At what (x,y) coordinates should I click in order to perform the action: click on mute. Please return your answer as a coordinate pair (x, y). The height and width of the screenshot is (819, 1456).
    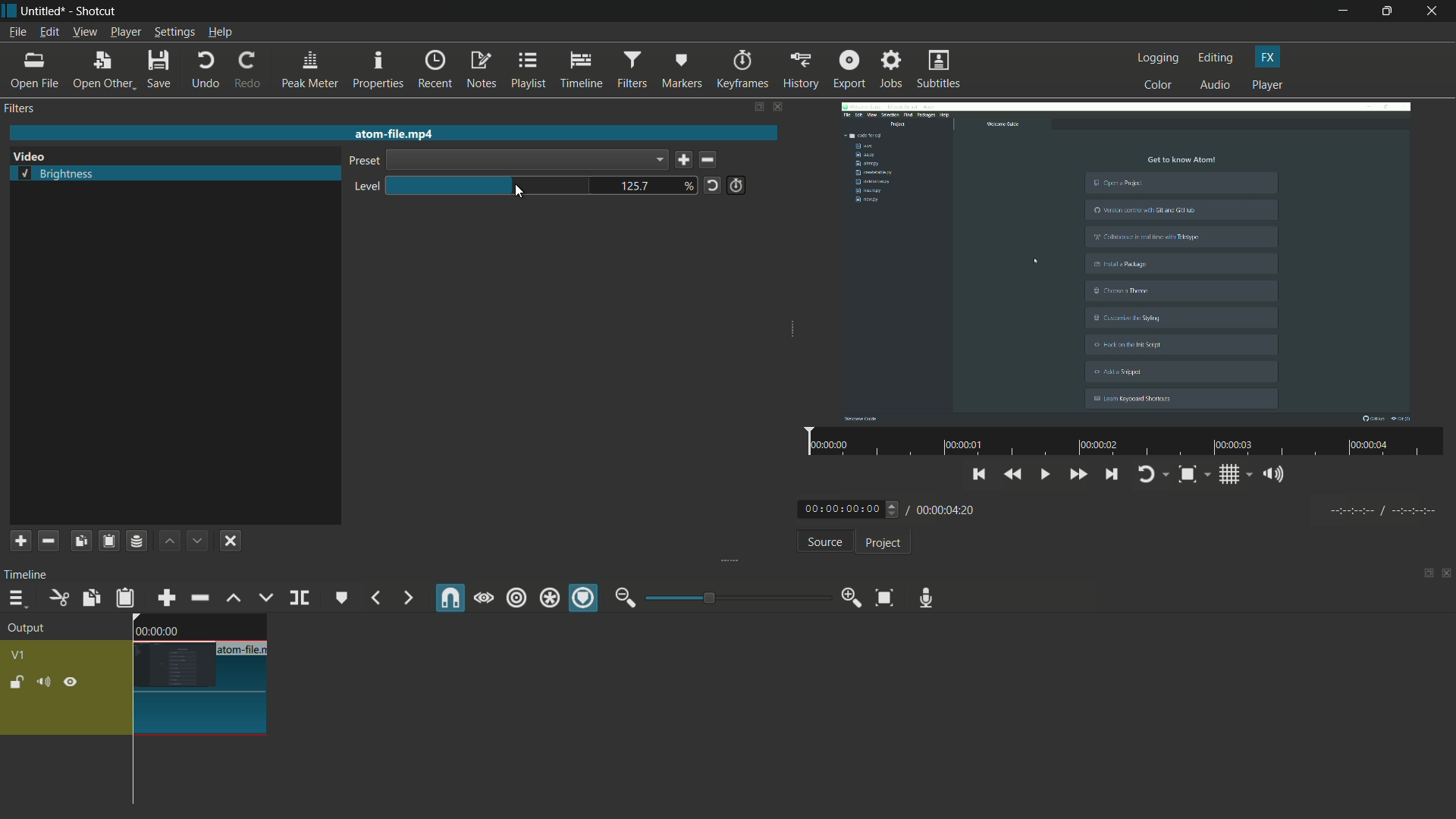
    Looking at the image, I should click on (46, 682).